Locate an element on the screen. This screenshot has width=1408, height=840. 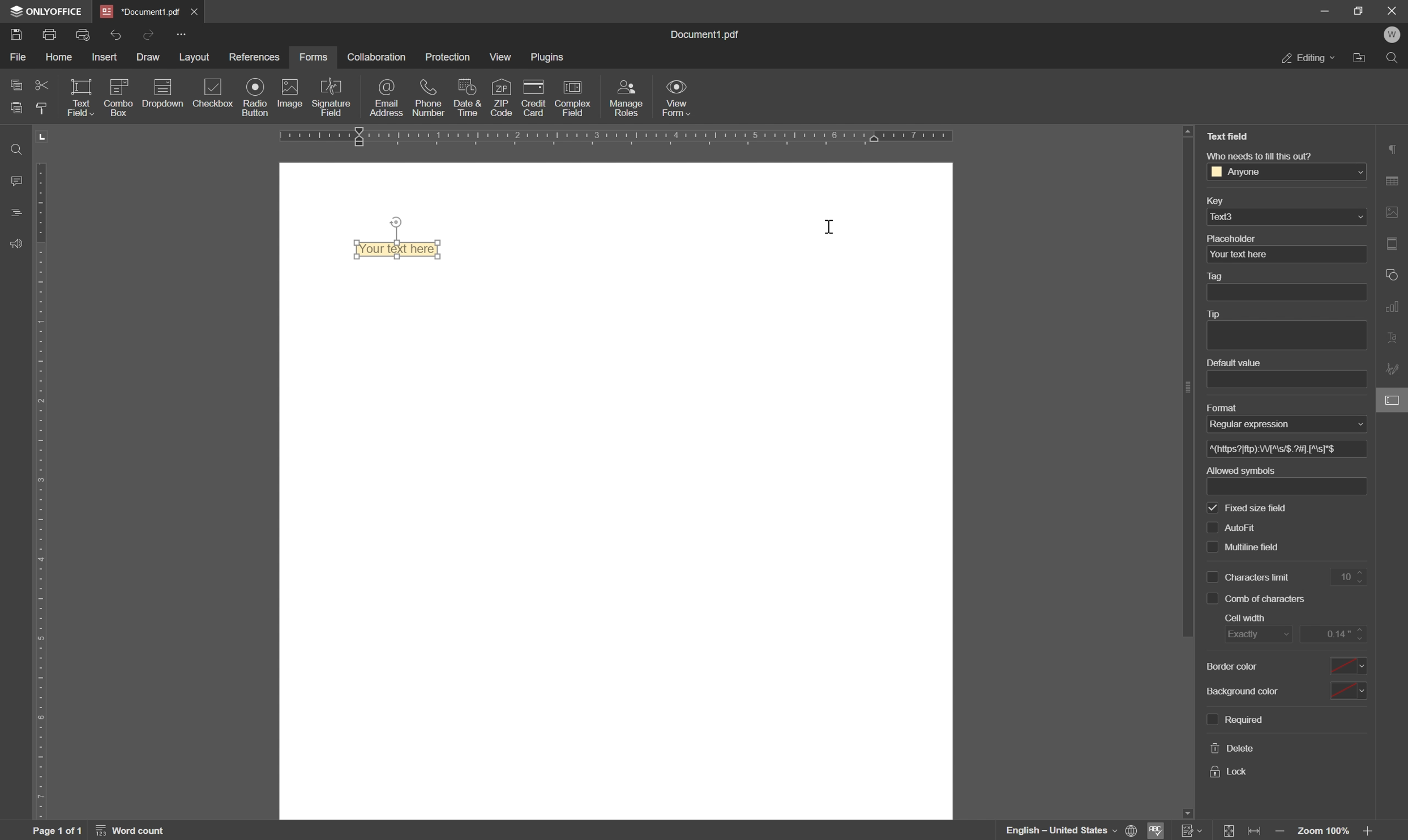
checkbox is located at coordinates (1212, 550).